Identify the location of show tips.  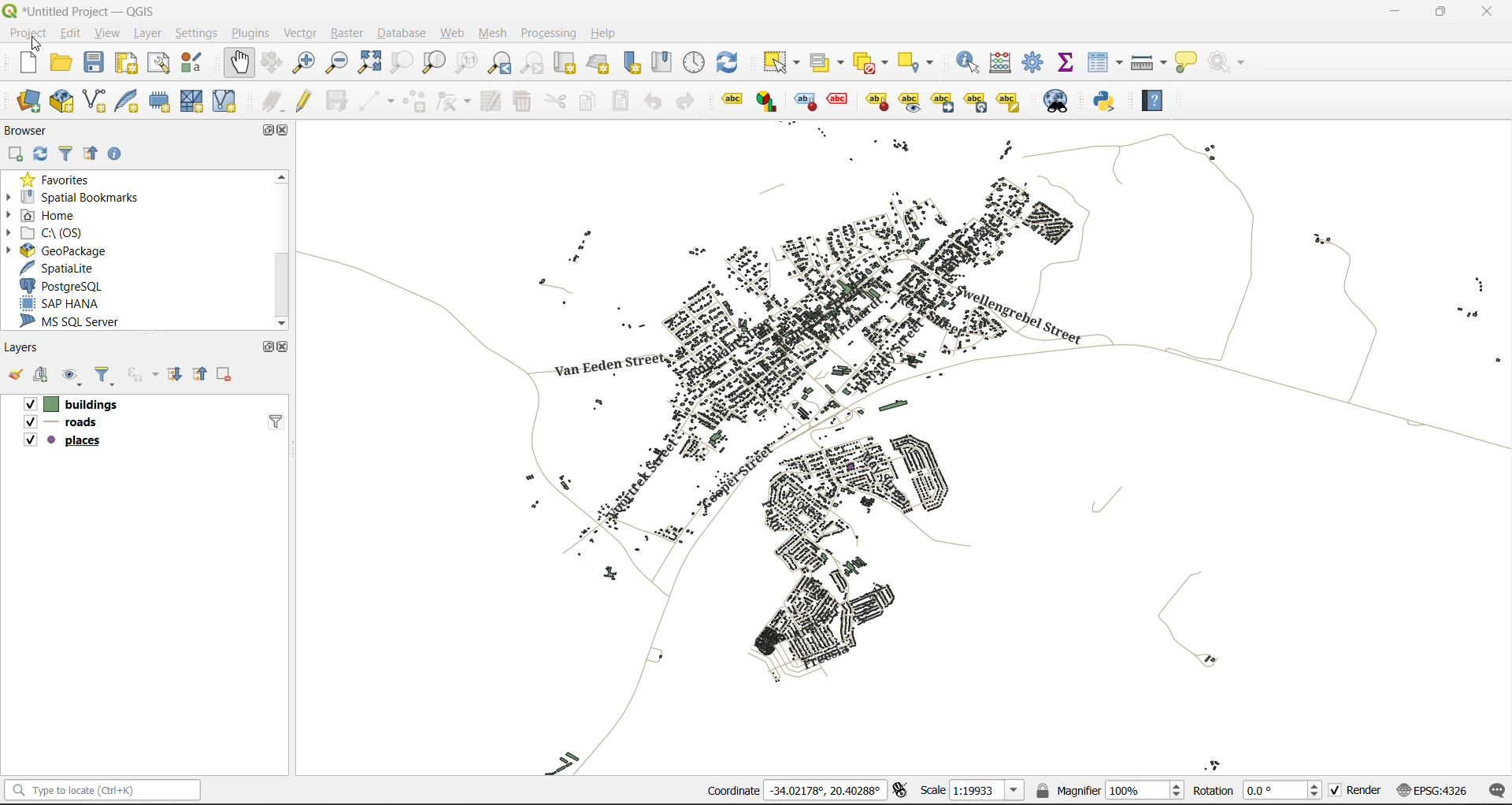
(1191, 61).